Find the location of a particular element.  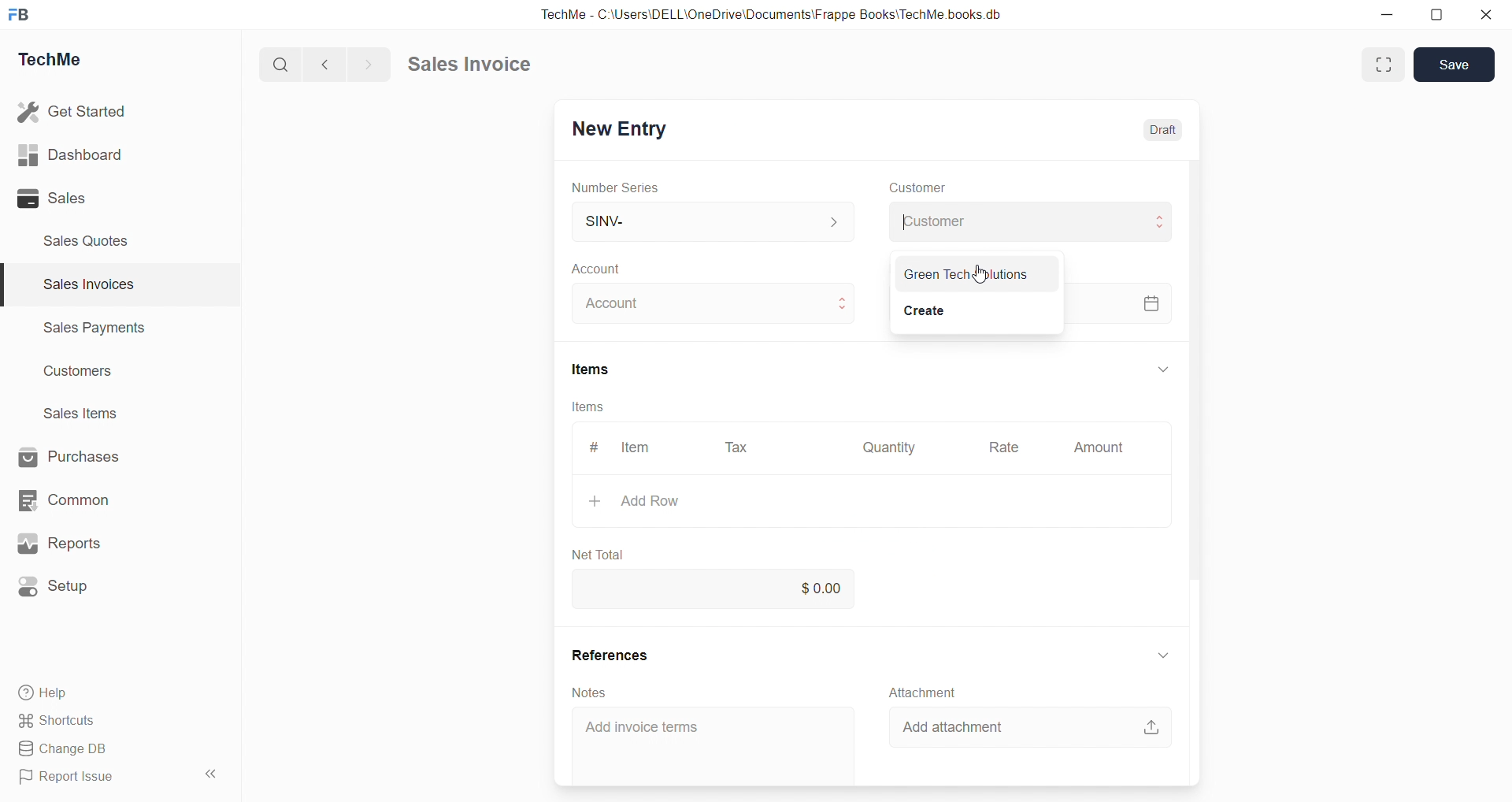

Add Row is located at coordinates (635, 500).